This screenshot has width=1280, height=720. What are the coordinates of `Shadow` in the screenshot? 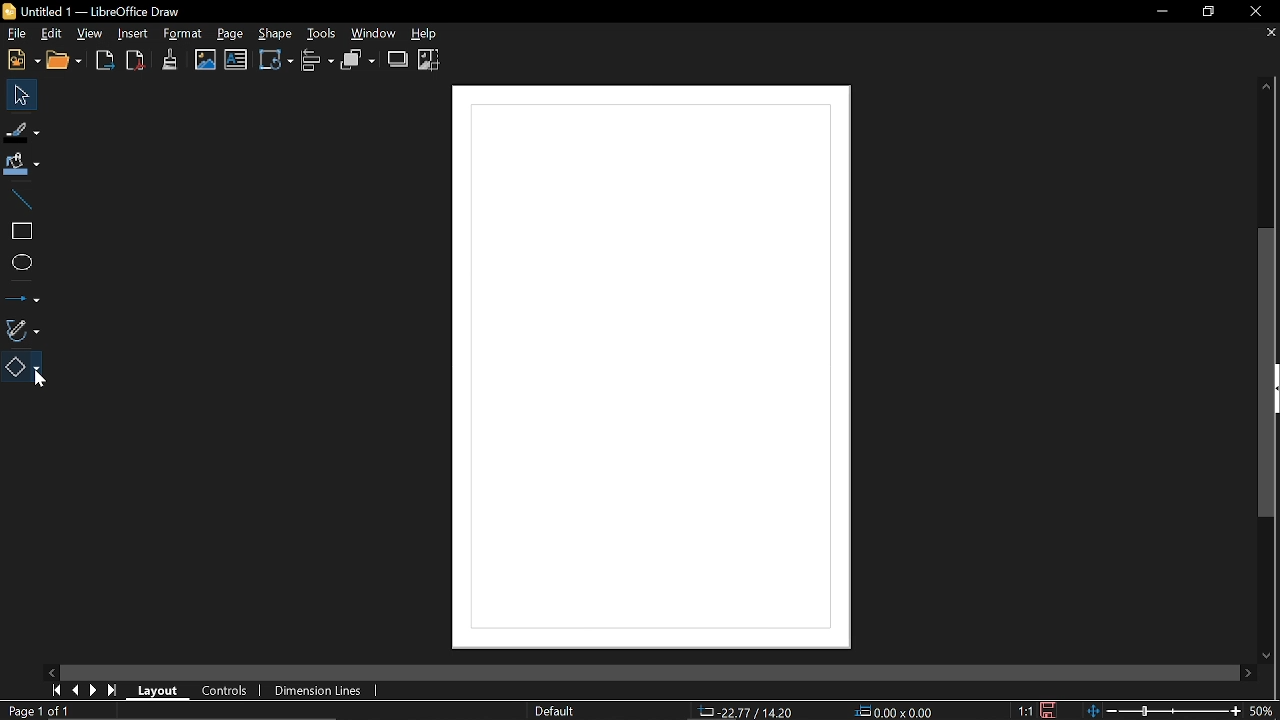 It's located at (398, 59).